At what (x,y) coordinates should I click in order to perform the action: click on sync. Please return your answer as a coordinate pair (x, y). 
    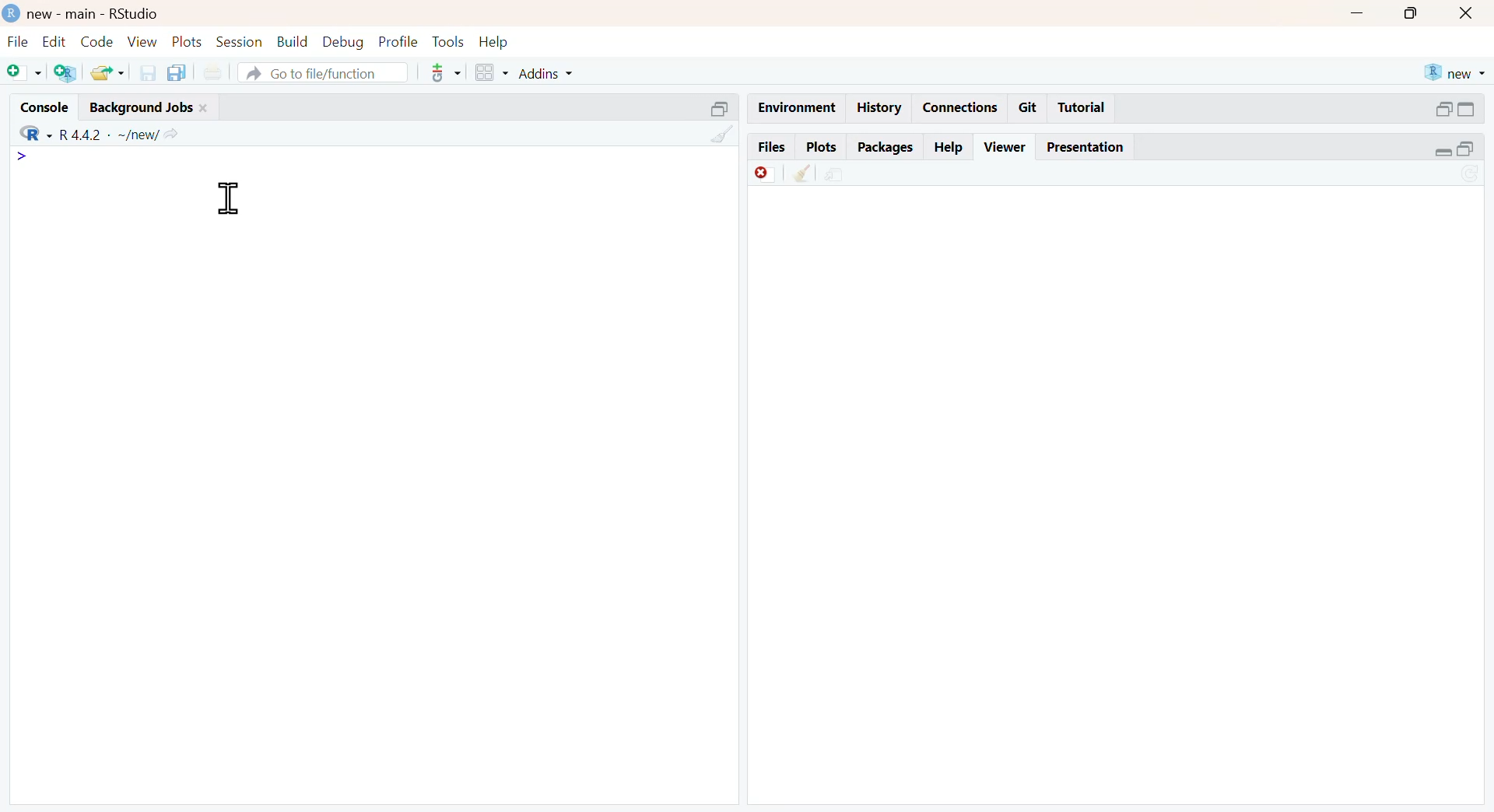
    Looking at the image, I should click on (1471, 176).